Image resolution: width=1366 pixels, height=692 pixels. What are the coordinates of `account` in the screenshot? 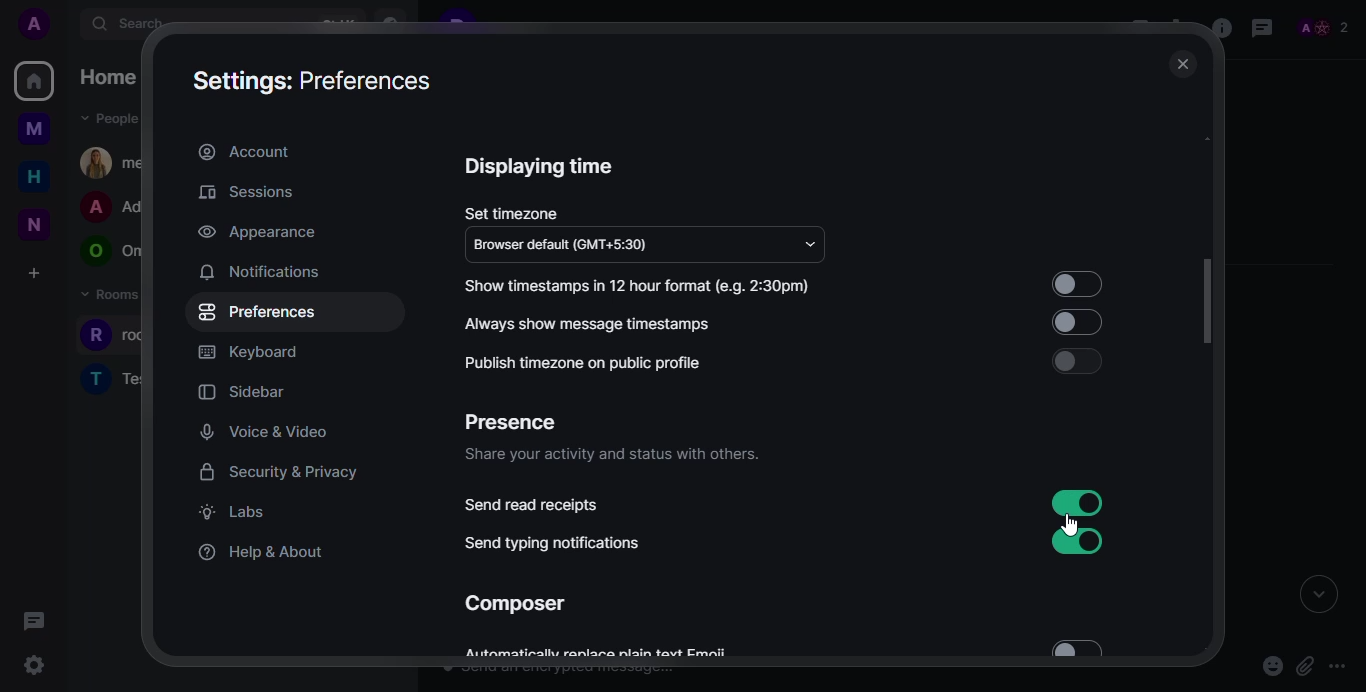 It's located at (244, 150).